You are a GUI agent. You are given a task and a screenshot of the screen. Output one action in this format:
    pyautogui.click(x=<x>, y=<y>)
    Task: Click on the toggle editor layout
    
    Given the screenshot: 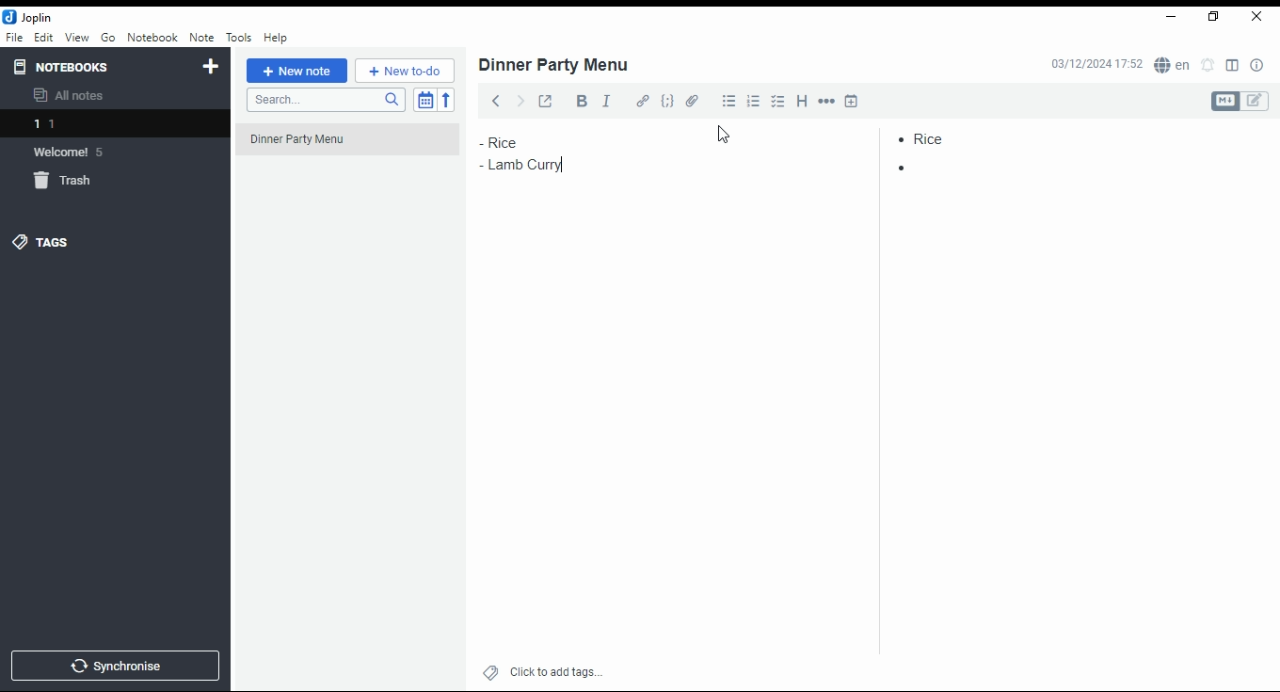 What is the action you would take?
    pyautogui.click(x=1232, y=66)
    